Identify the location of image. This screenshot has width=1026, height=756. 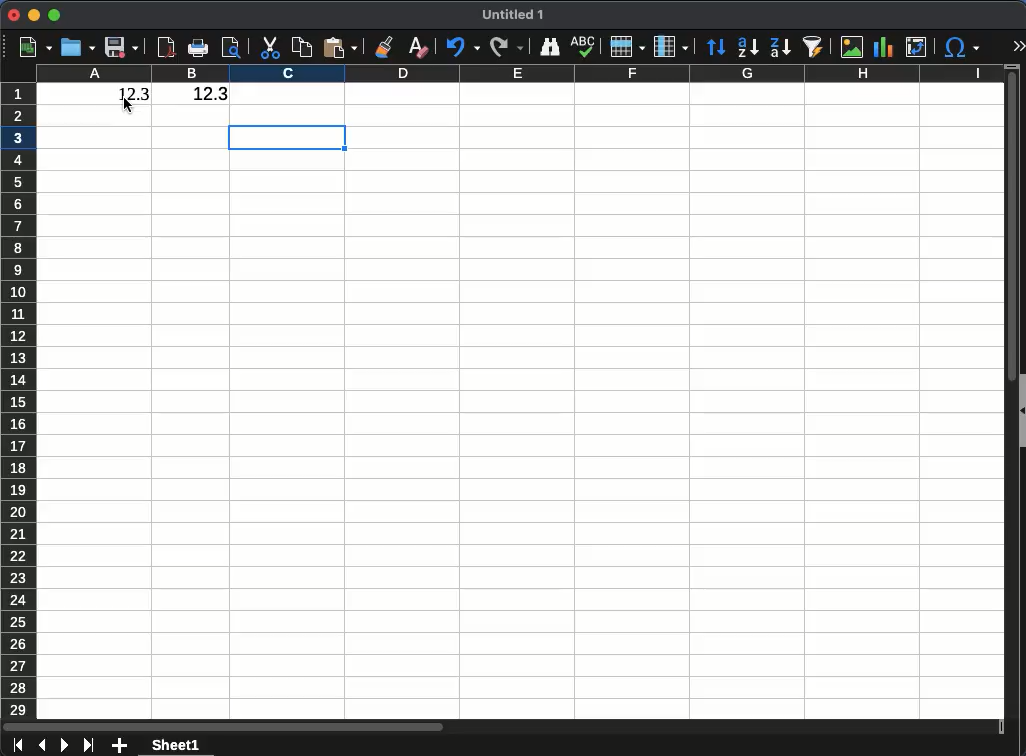
(852, 47).